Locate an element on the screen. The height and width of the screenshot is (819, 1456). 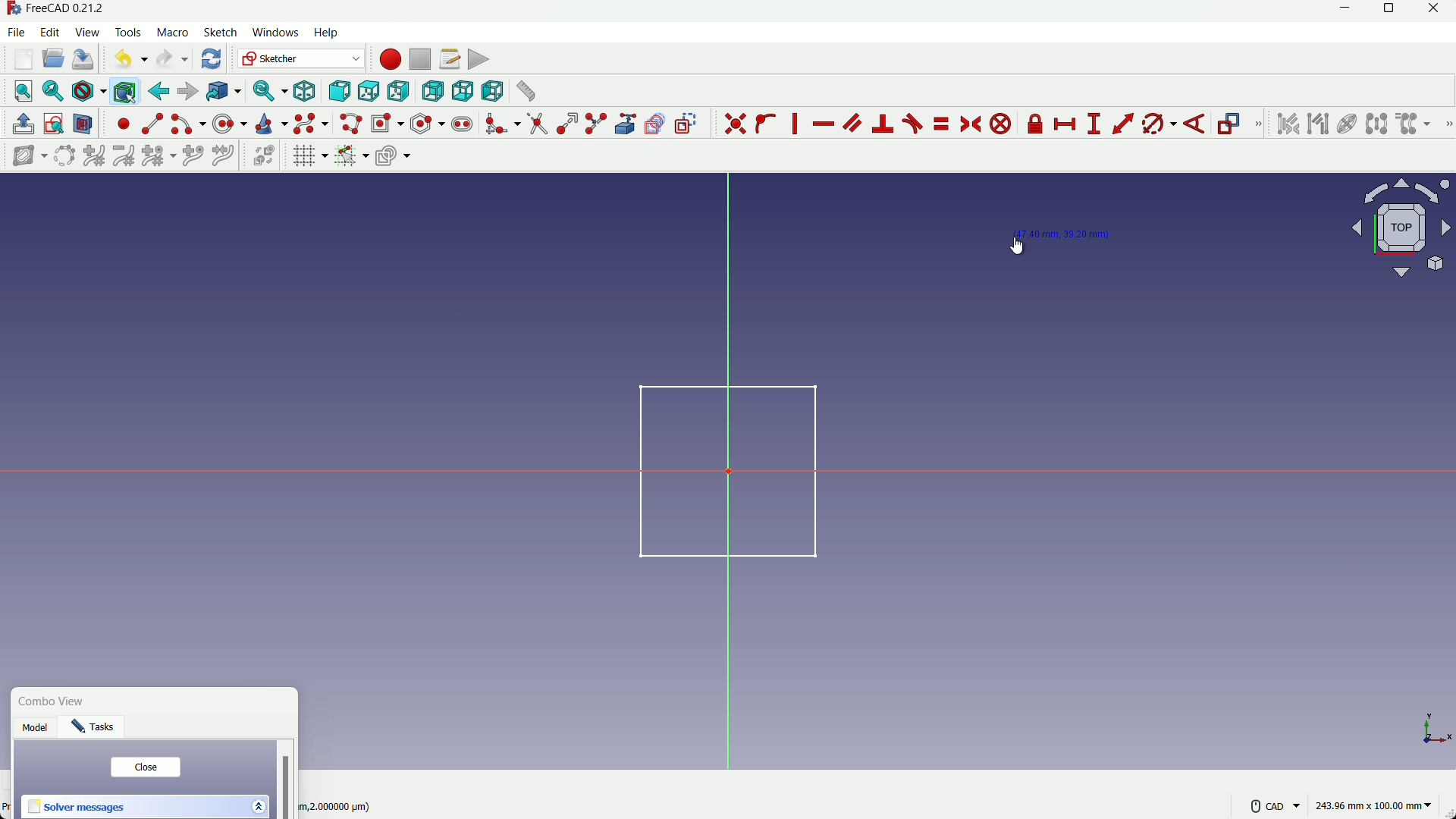
close app is located at coordinates (1439, 11).